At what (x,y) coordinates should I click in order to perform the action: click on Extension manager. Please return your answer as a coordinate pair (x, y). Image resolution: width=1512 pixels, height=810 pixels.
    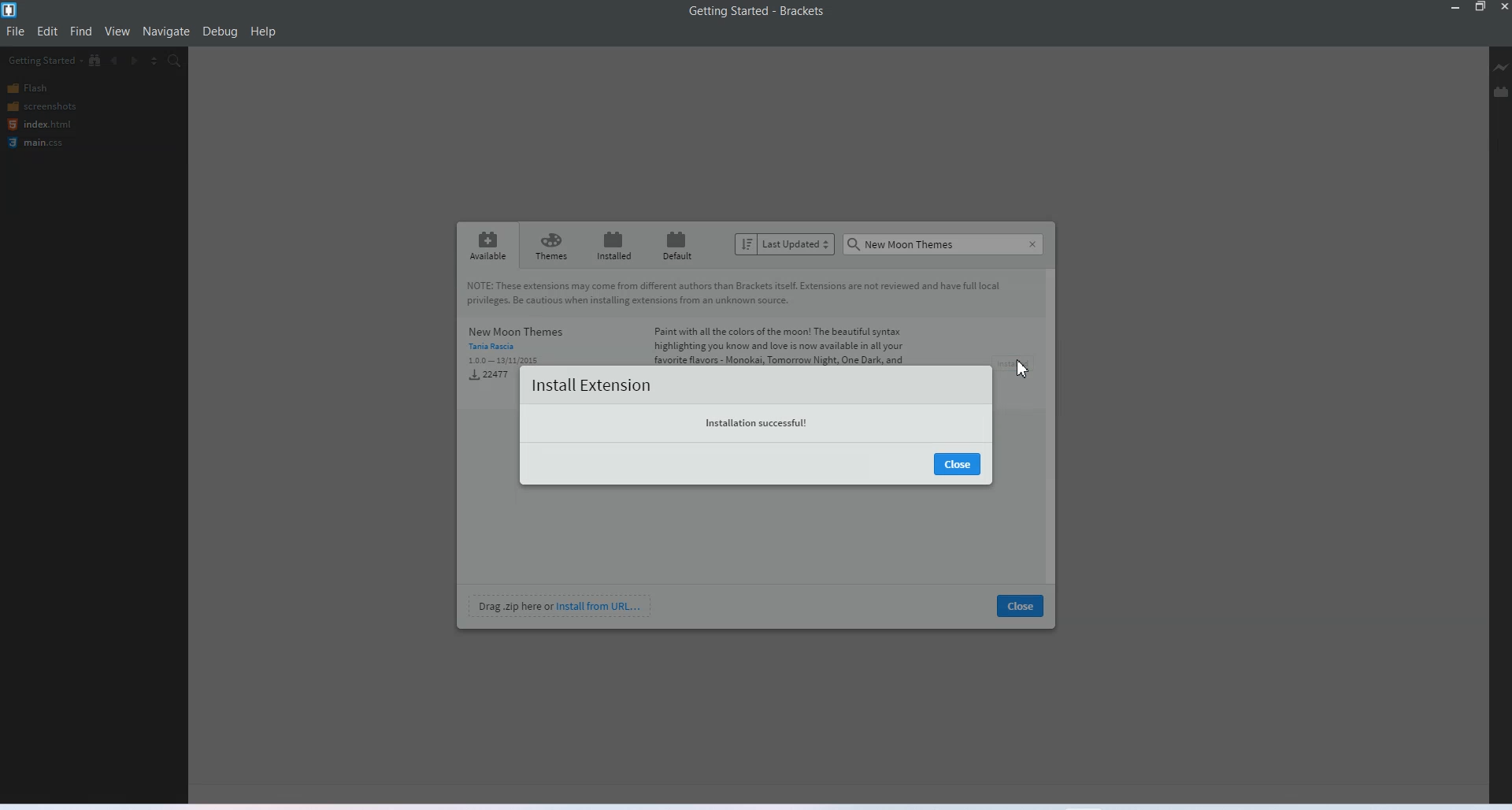
    Looking at the image, I should click on (1501, 87).